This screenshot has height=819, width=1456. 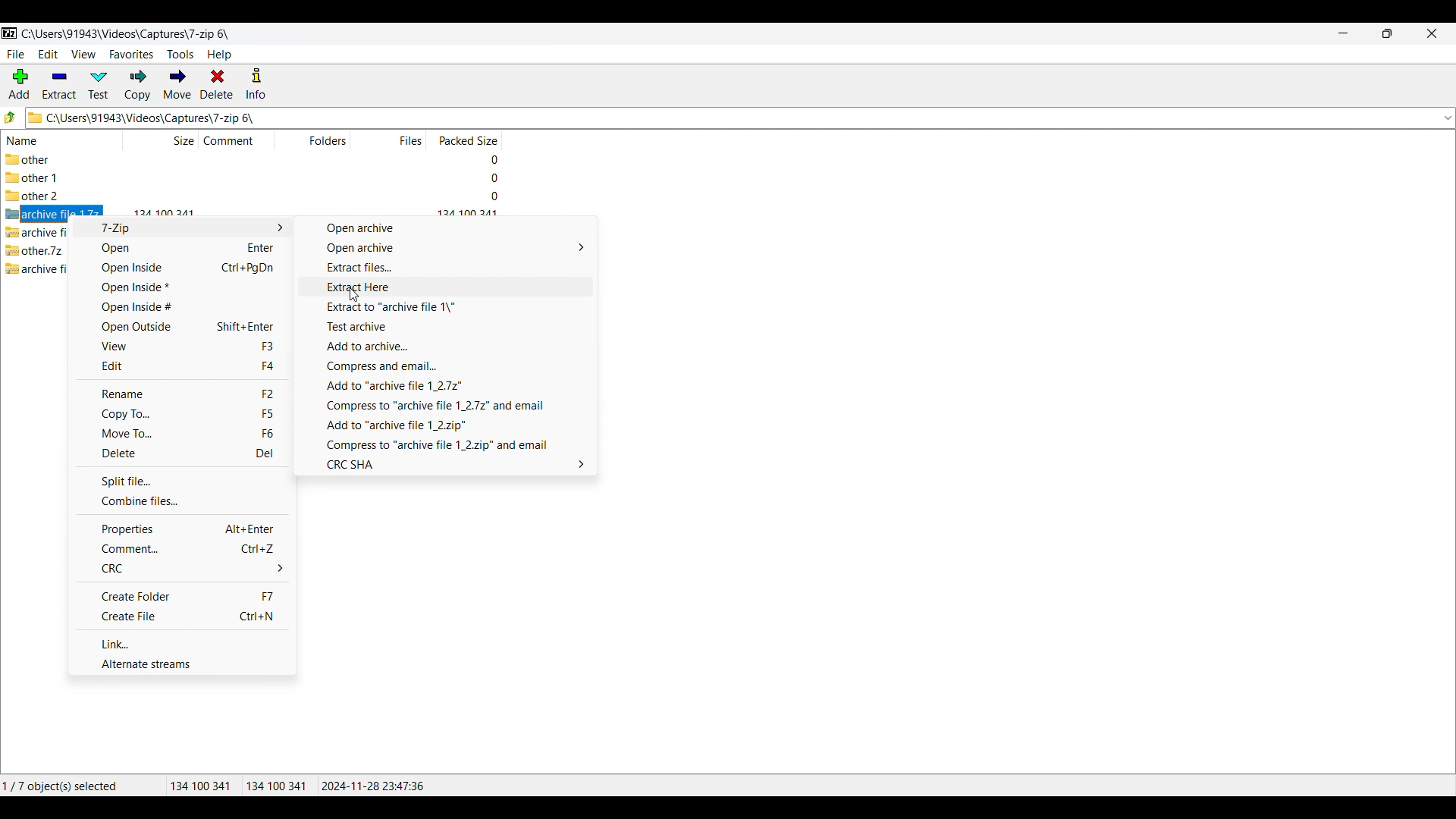 What do you see at coordinates (447, 307) in the screenshot?
I see `Extract to "archive file 1\"` at bounding box center [447, 307].